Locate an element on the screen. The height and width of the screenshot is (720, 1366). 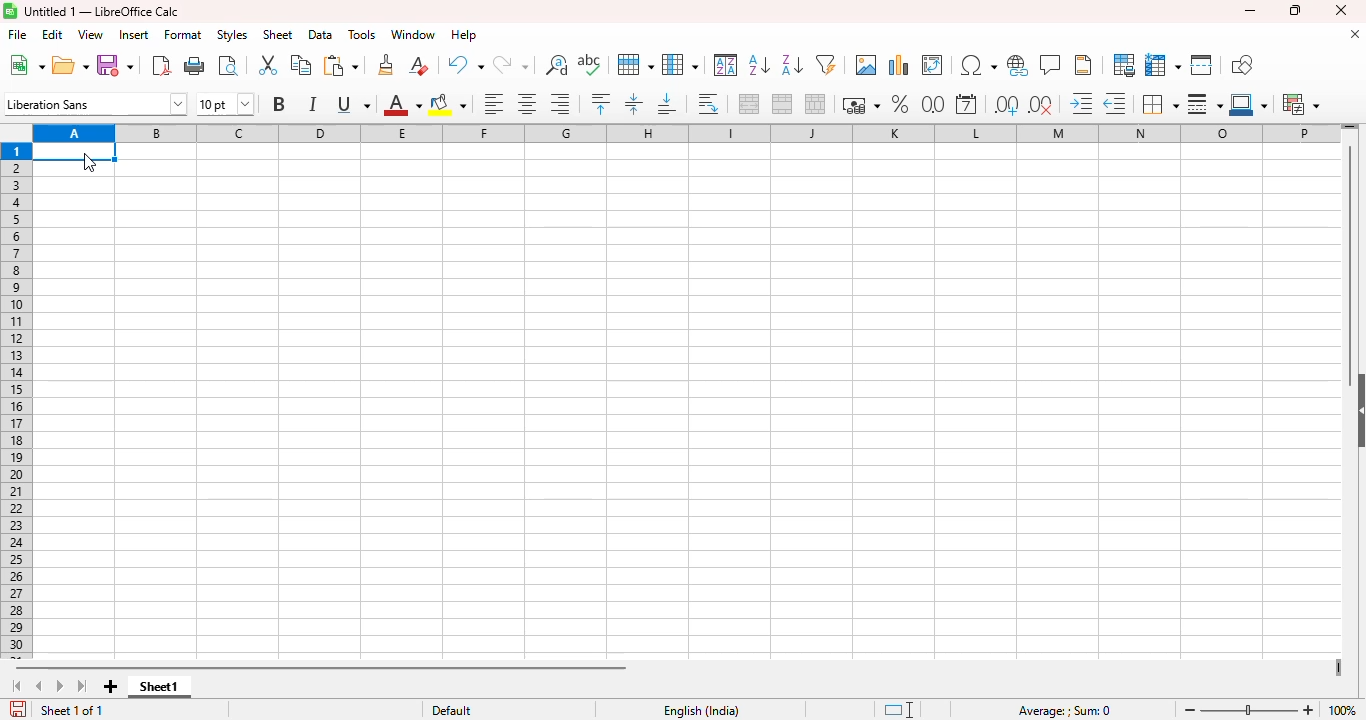
copy is located at coordinates (301, 64).